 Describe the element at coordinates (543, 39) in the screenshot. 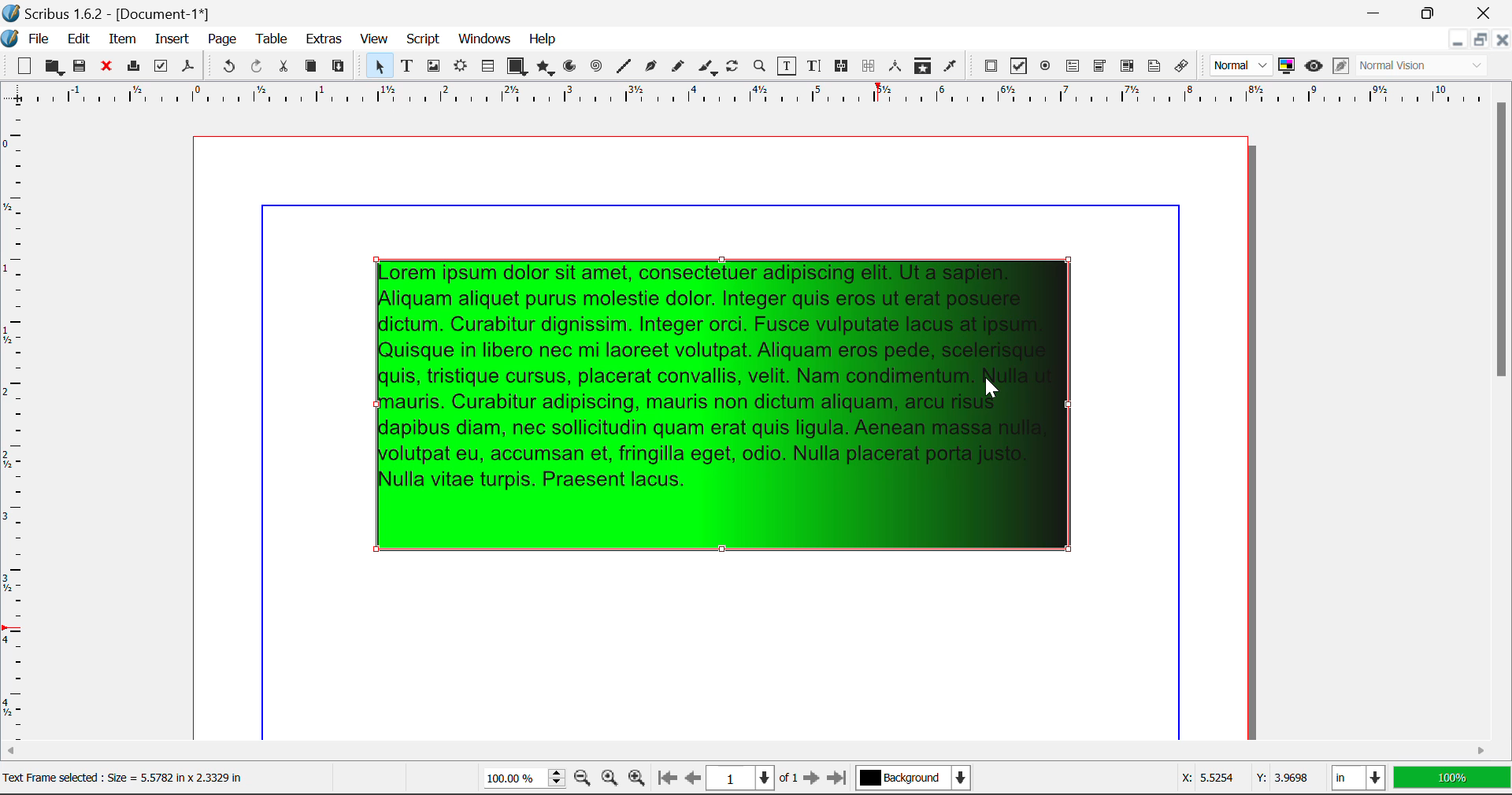

I see `Help` at that location.